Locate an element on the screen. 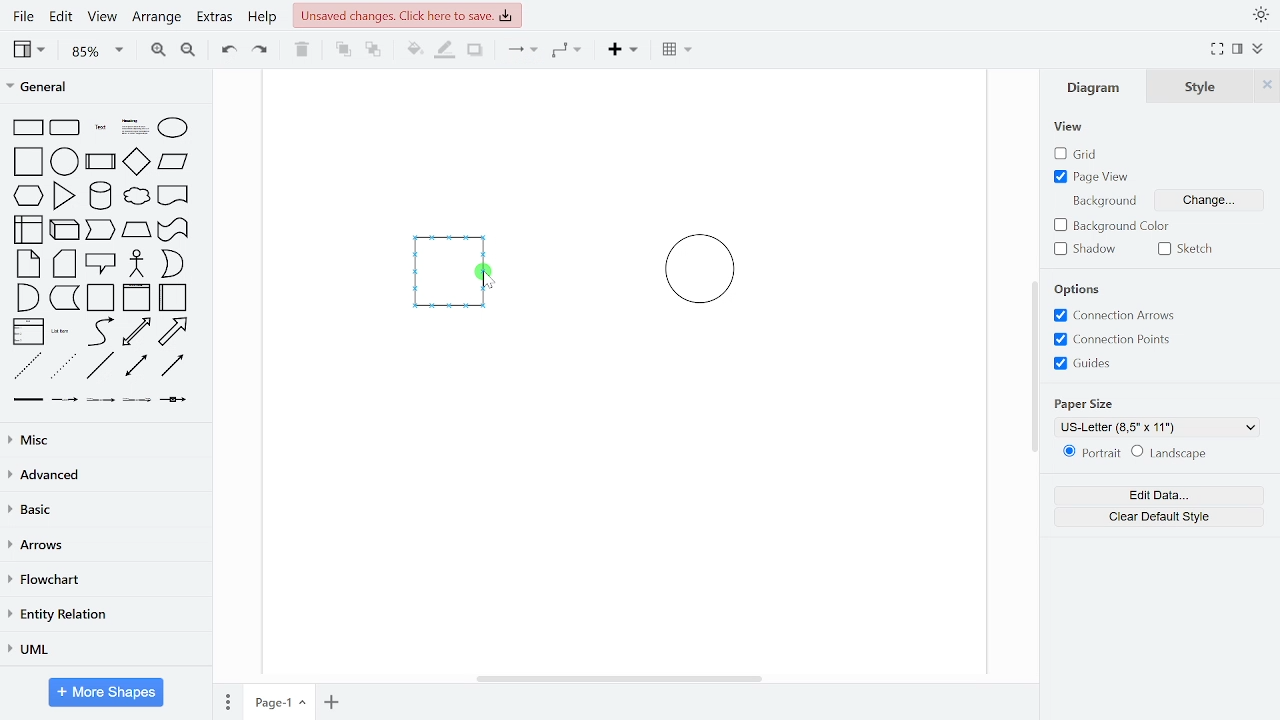 The height and width of the screenshot is (720, 1280). note is located at coordinates (30, 263).